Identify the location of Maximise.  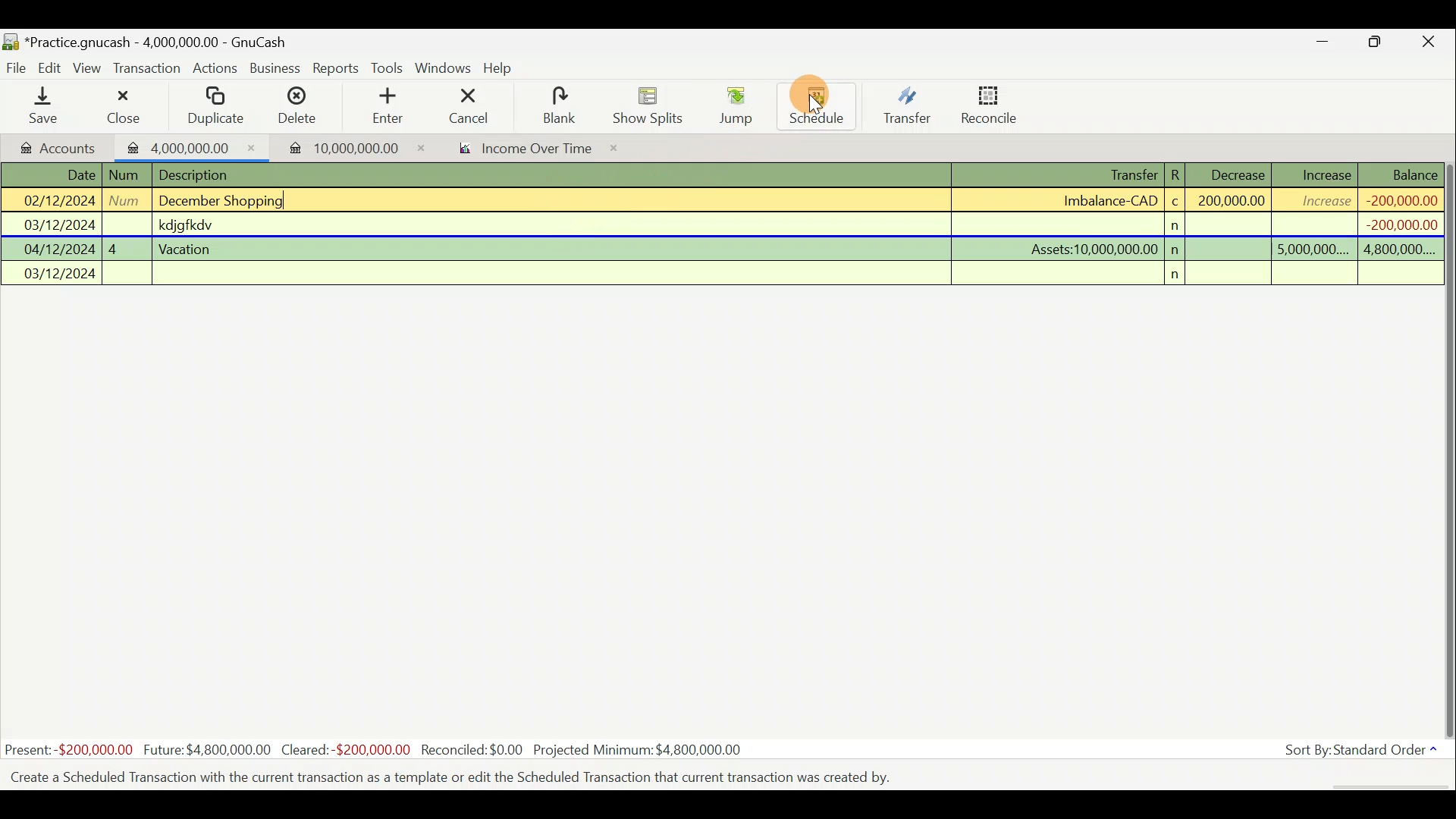
(1376, 44).